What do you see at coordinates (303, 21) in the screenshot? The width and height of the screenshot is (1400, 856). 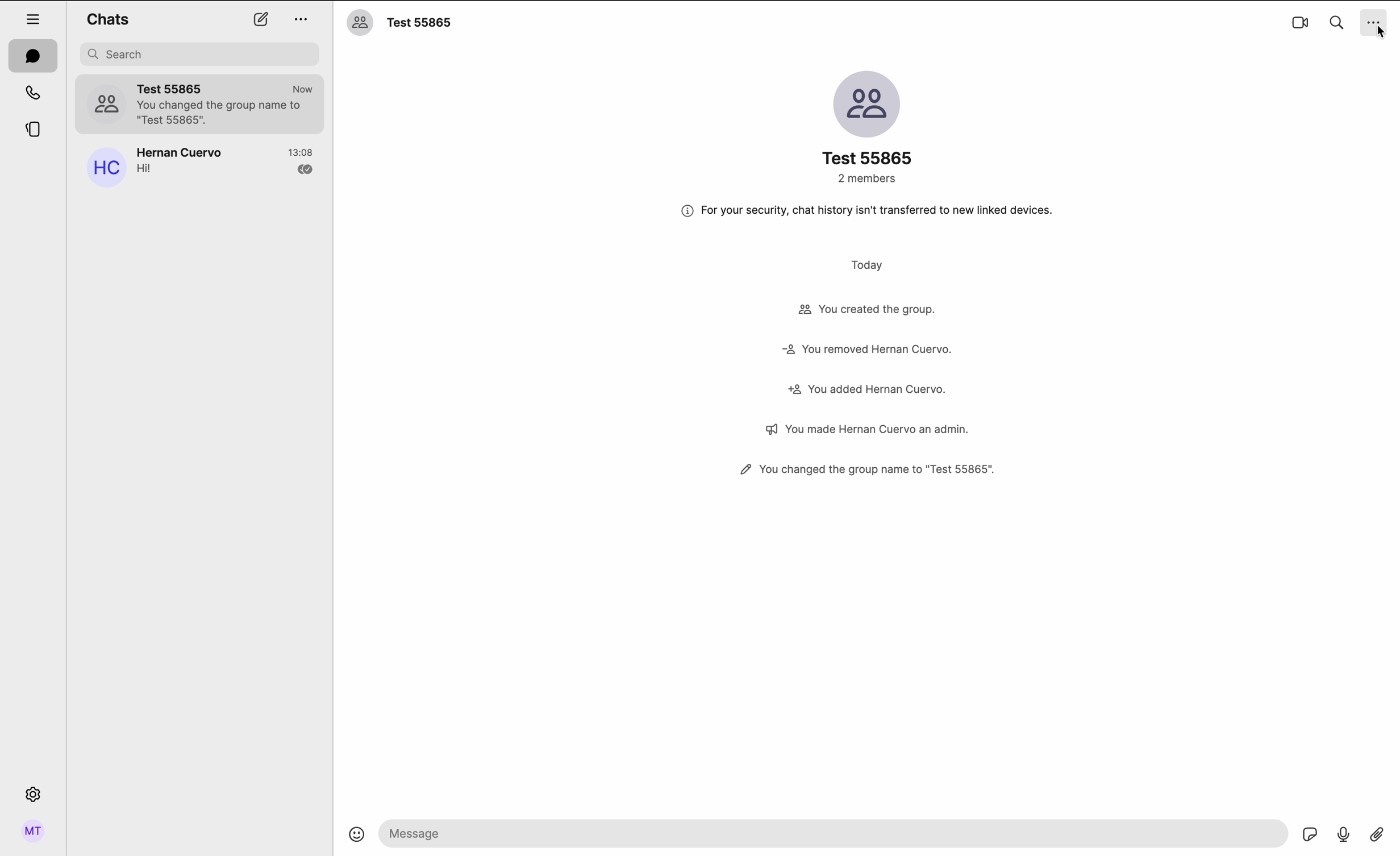 I see `more options` at bounding box center [303, 21].